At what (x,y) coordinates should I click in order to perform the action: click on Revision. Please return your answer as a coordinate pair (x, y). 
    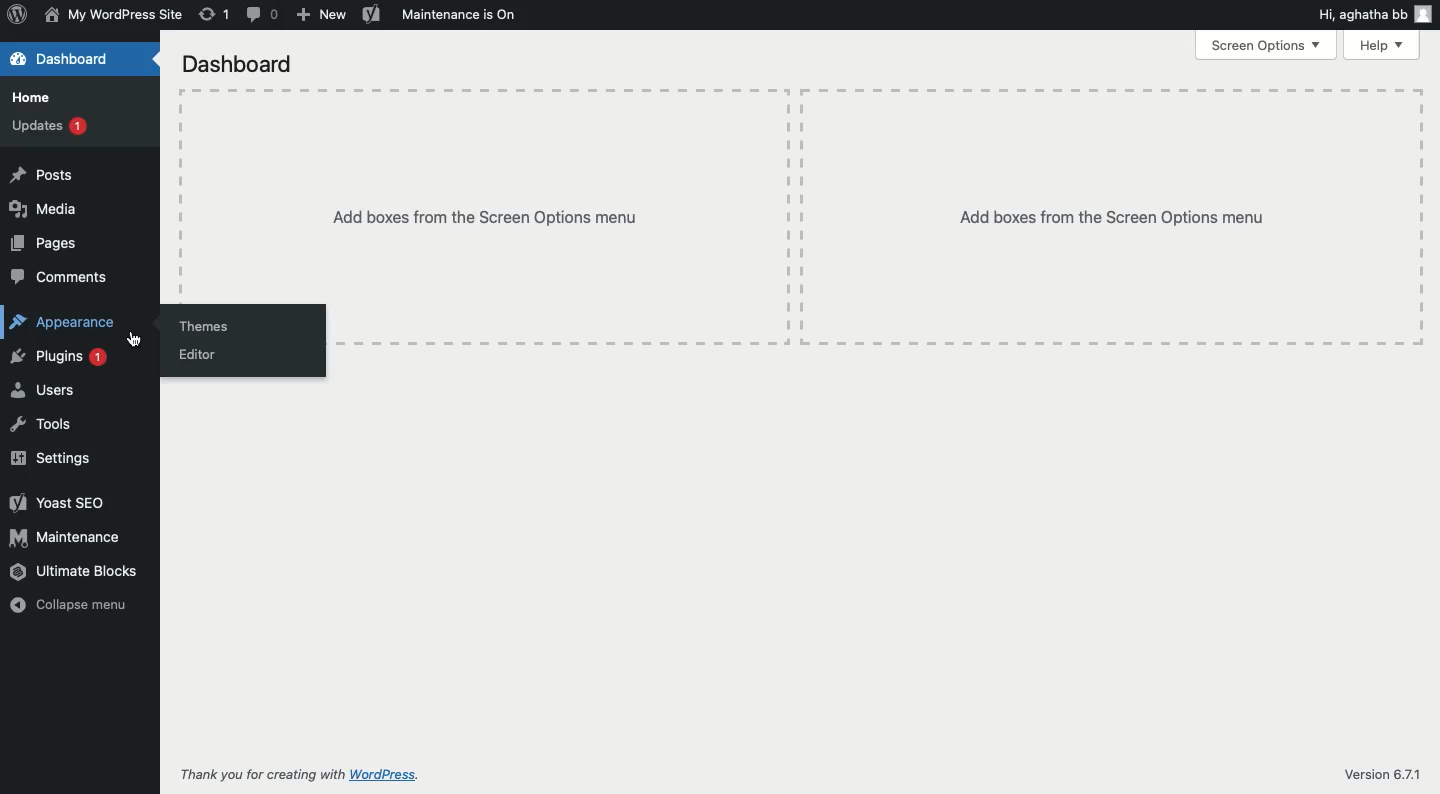
    Looking at the image, I should click on (216, 14).